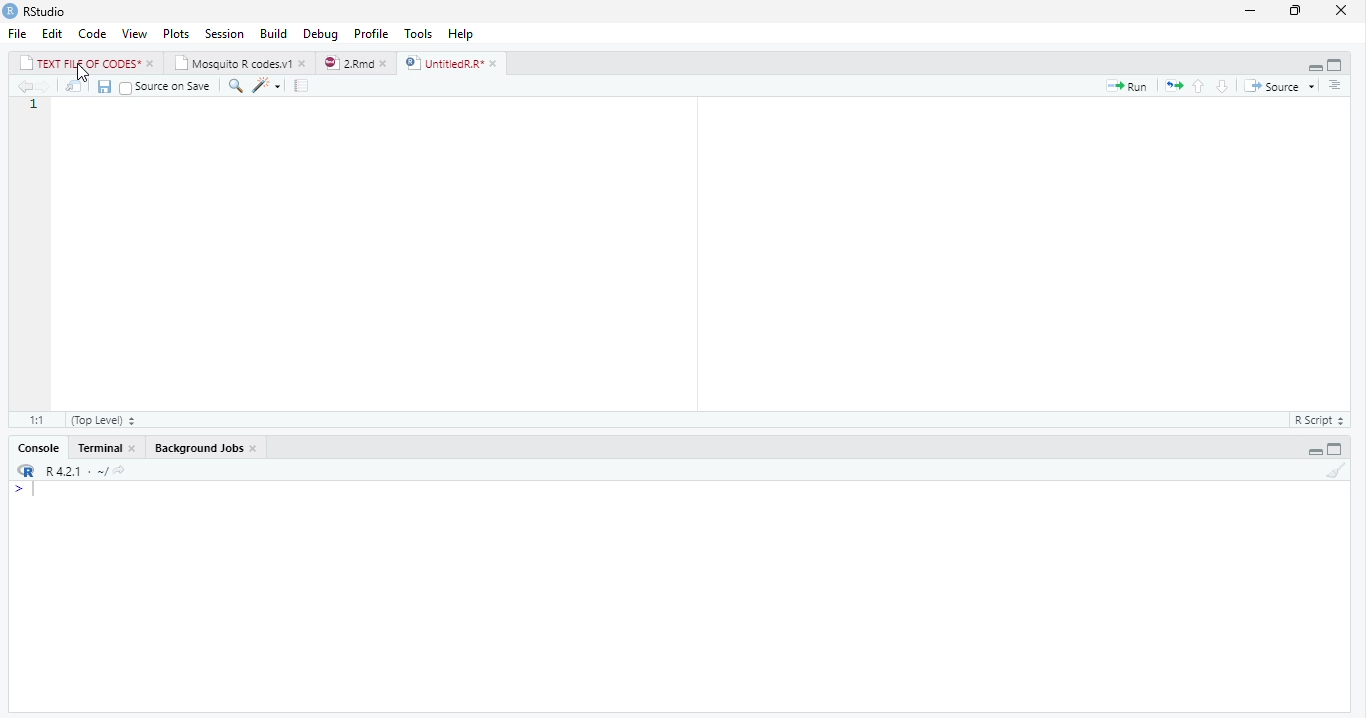 Image resolution: width=1366 pixels, height=718 pixels. I want to click on icon, so click(24, 472).